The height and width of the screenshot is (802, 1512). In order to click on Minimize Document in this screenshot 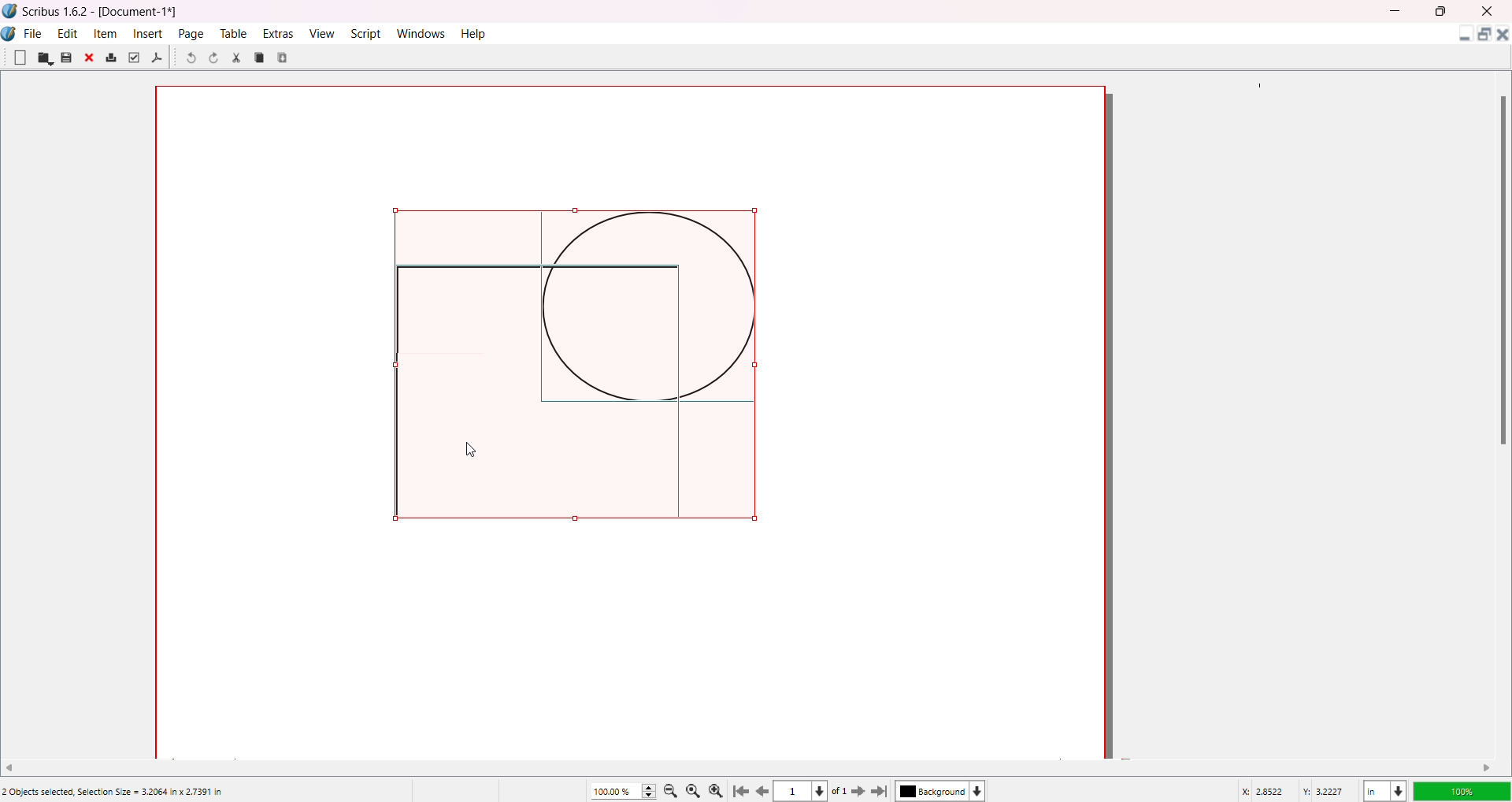, I will do `click(1461, 37)`.